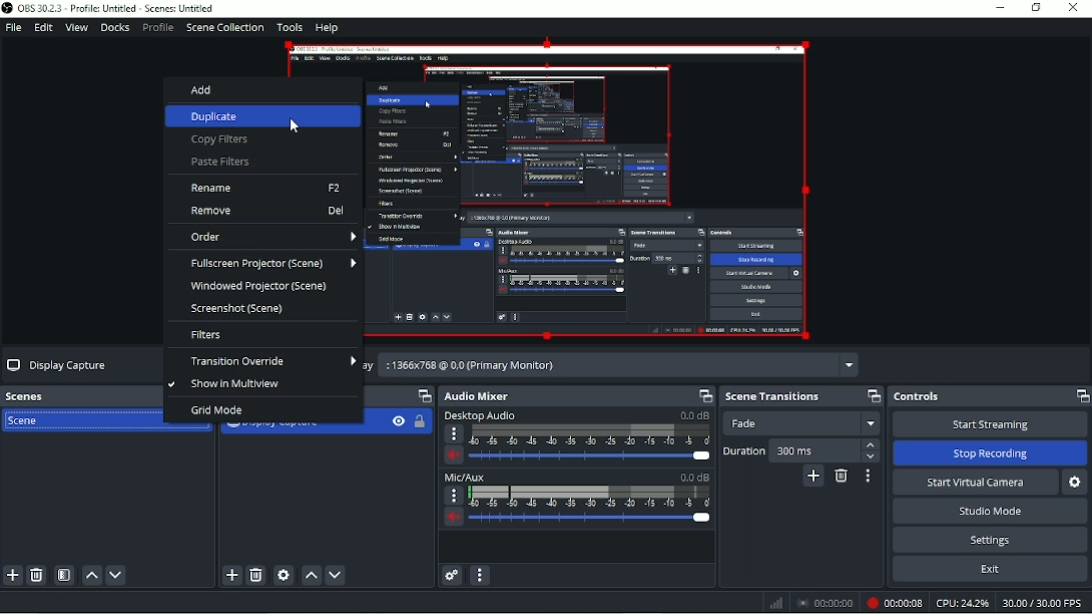 This screenshot has height=614, width=1092. Describe the element at coordinates (14, 28) in the screenshot. I see `File` at that location.